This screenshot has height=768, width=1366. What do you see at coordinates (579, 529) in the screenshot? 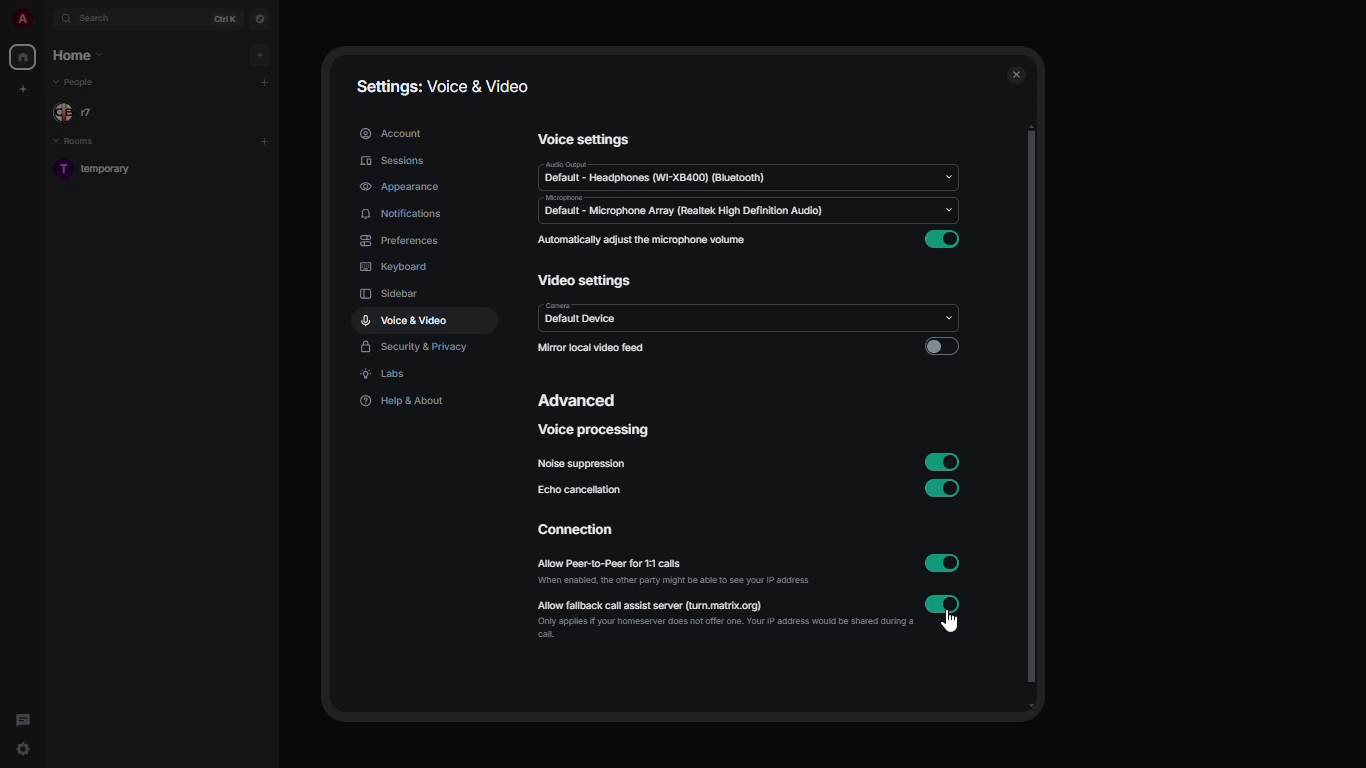
I see `connection` at bounding box center [579, 529].